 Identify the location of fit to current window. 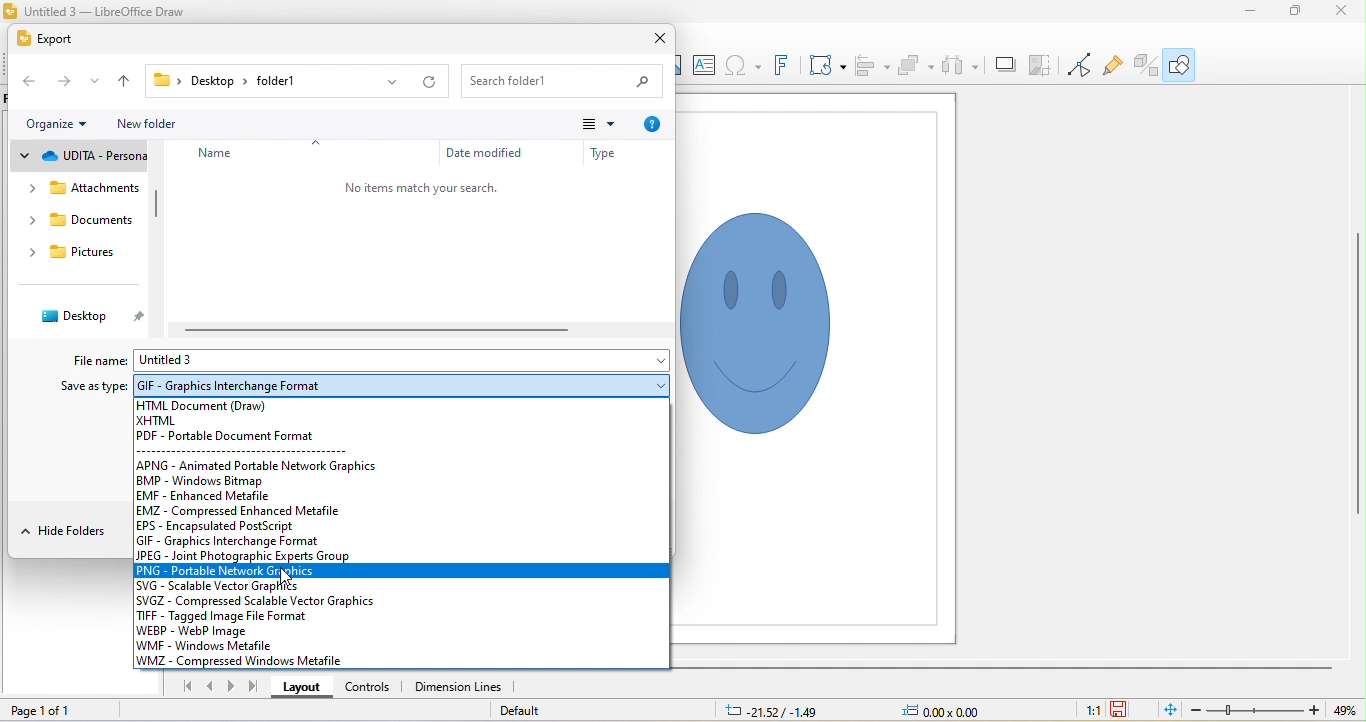
(1169, 711).